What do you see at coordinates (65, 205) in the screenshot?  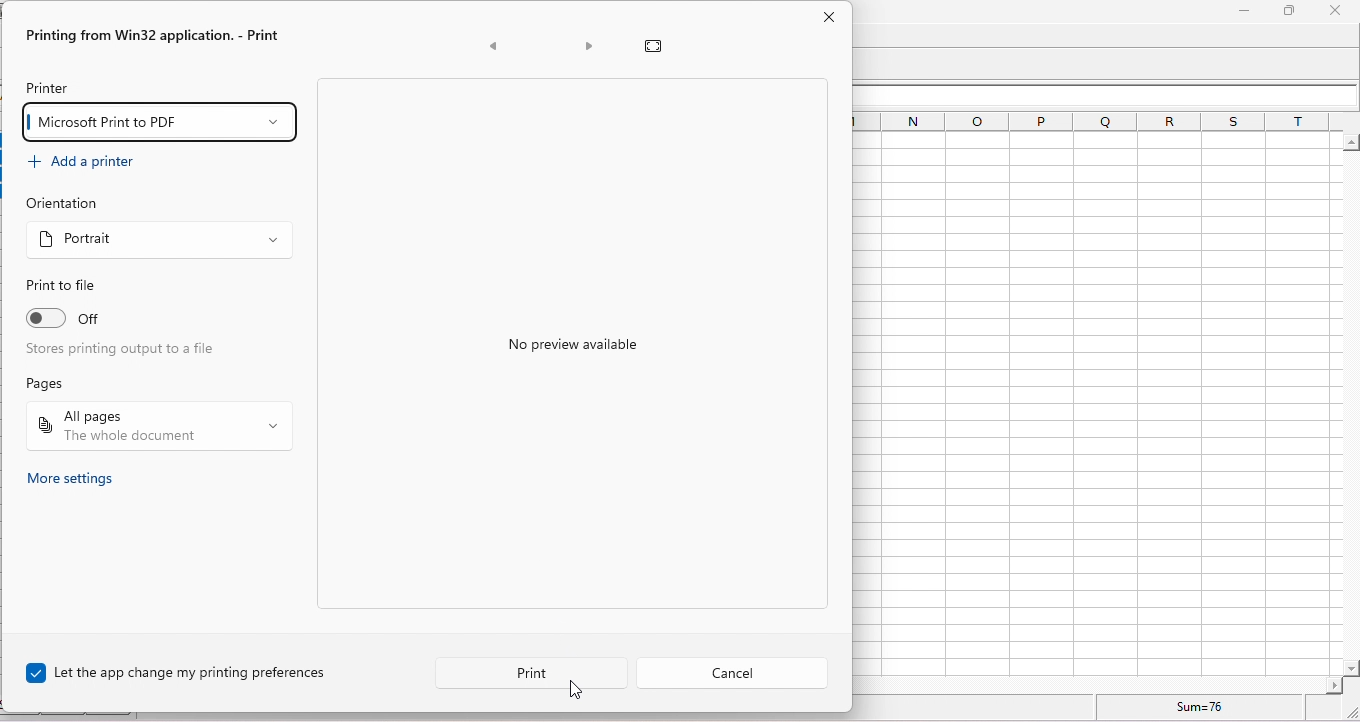 I see `orientation` at bounding box center [65, 205].